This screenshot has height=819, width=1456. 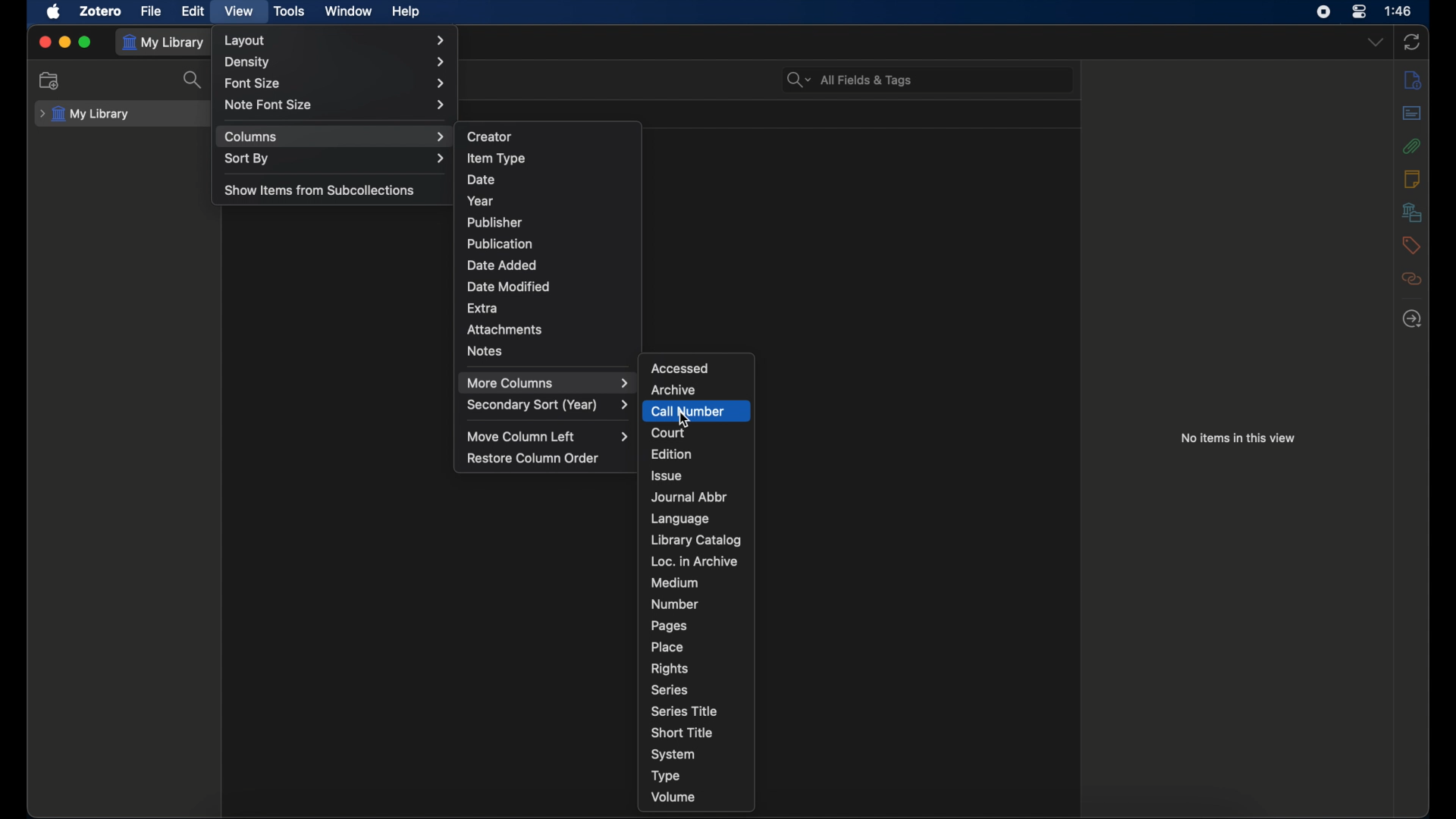 What do you see at coordinates (670, 453) in the screenshot?
I see `edition` at bounding box center [670, 453].